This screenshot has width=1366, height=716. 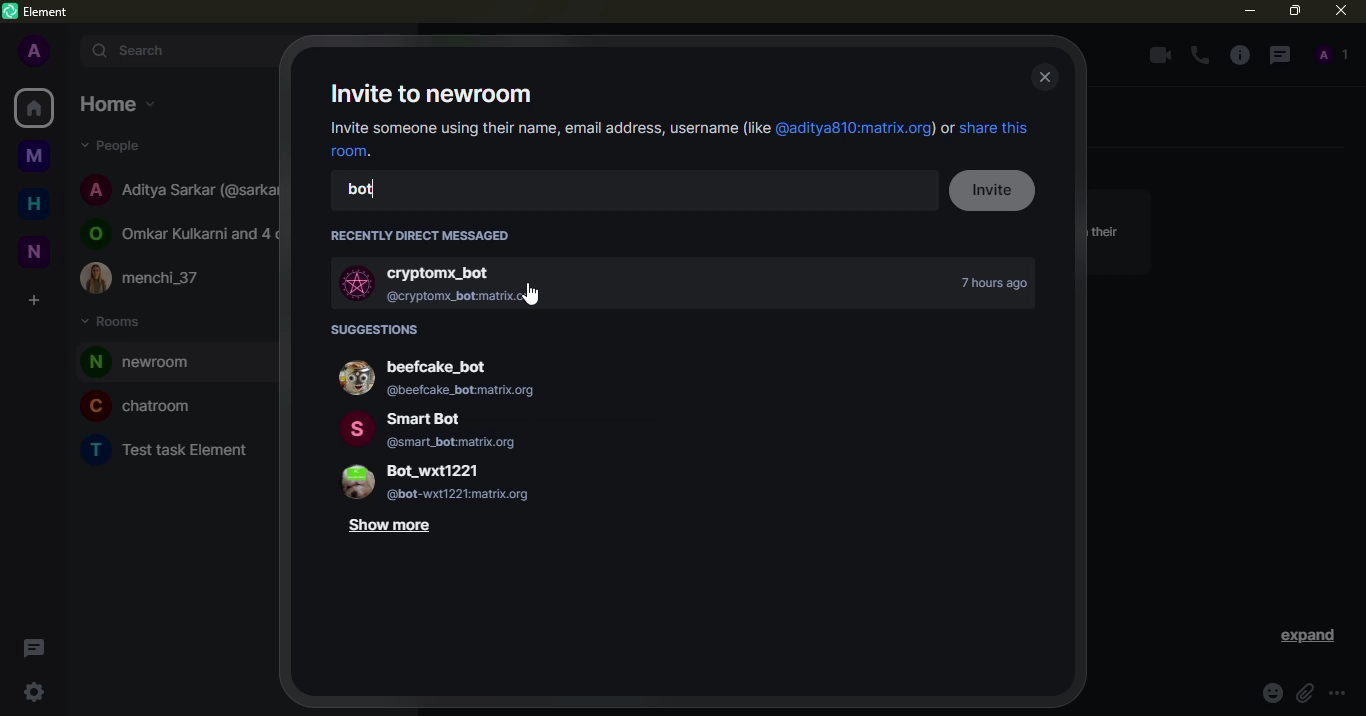 I want to click on people, so click(x=1330, y=54).